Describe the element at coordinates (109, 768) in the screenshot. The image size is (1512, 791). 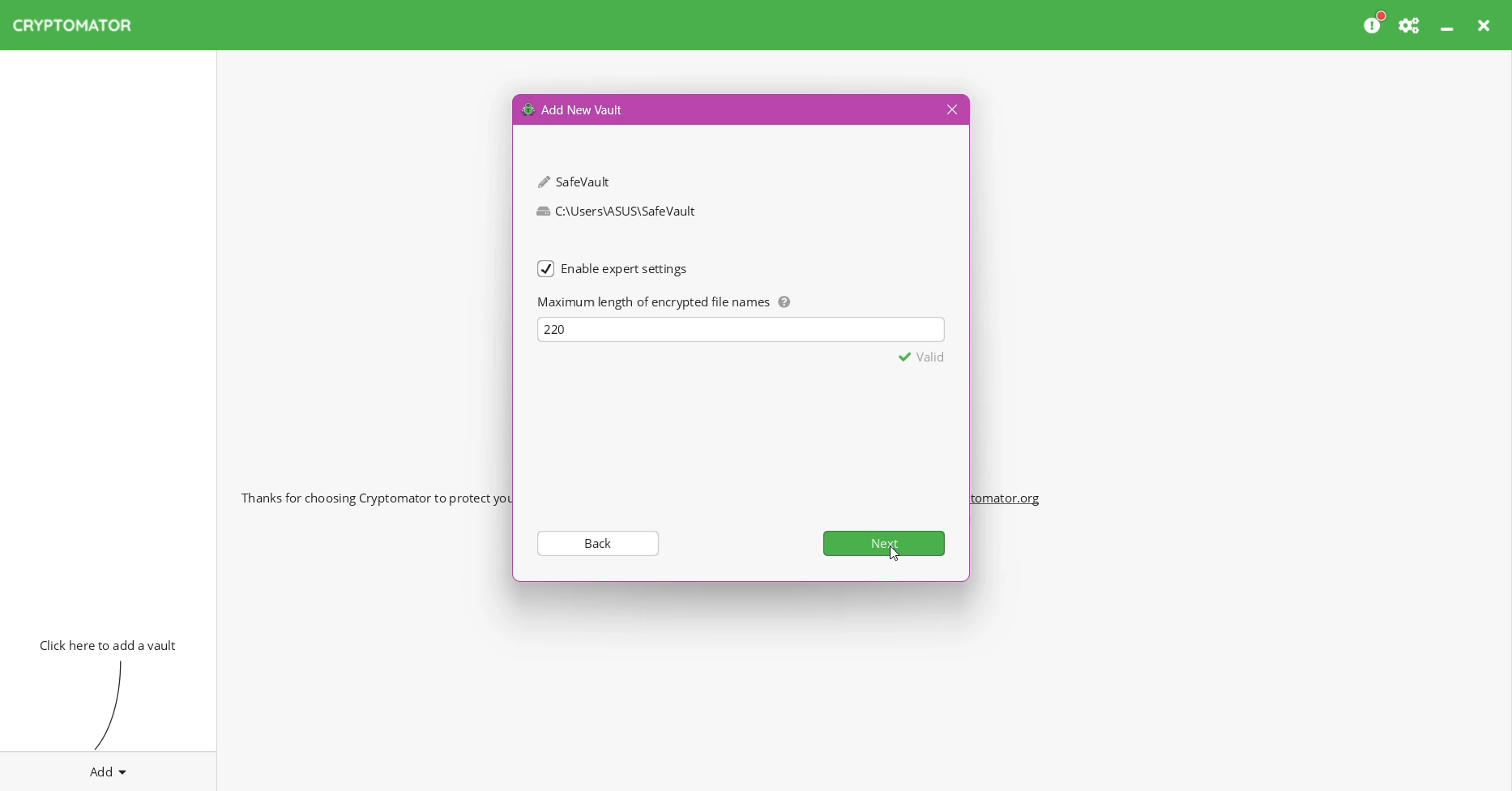
I see `Add` at that location.